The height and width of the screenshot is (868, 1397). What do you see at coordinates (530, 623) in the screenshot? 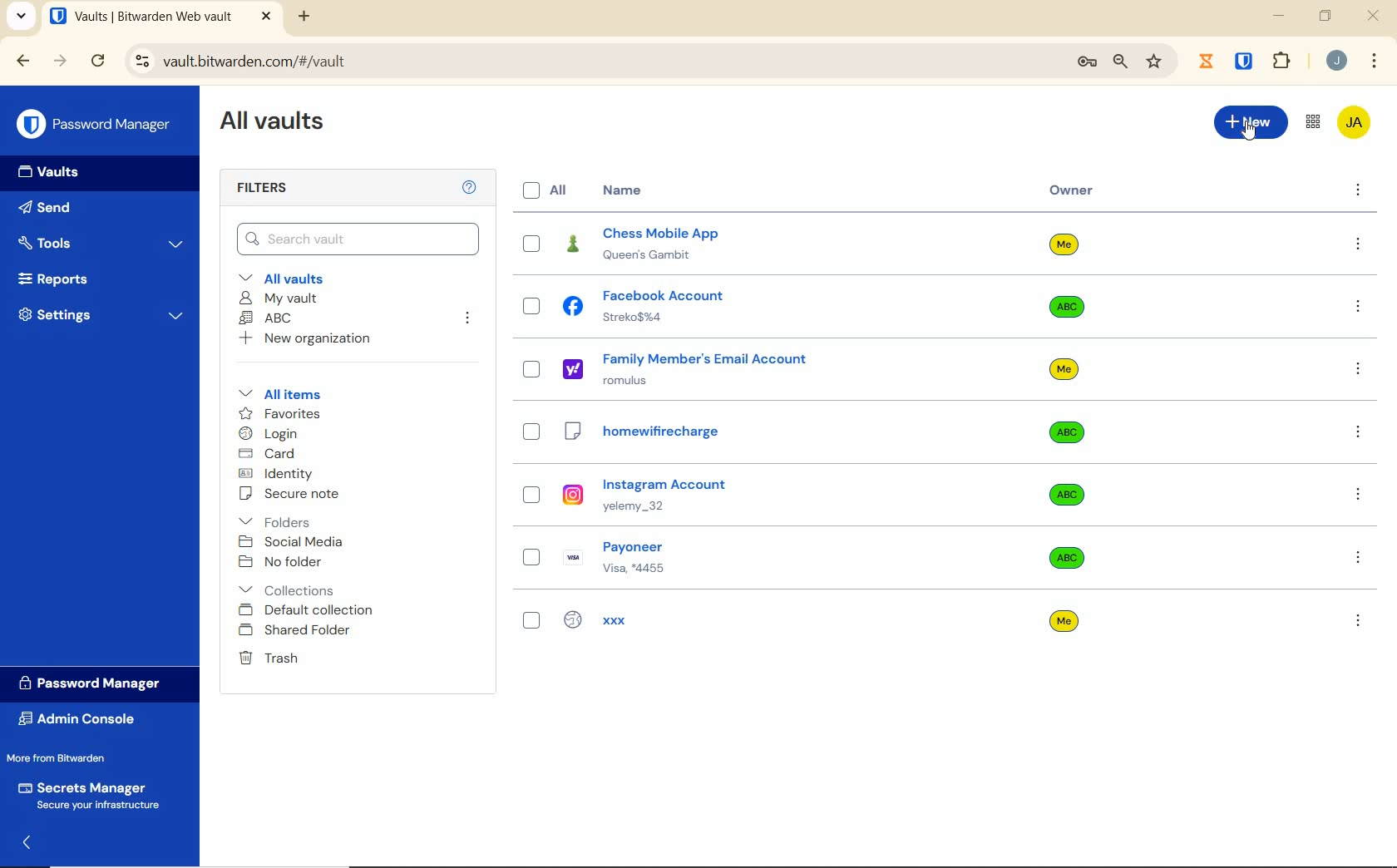
I see `checkbox` at bounding box center [530, 623].